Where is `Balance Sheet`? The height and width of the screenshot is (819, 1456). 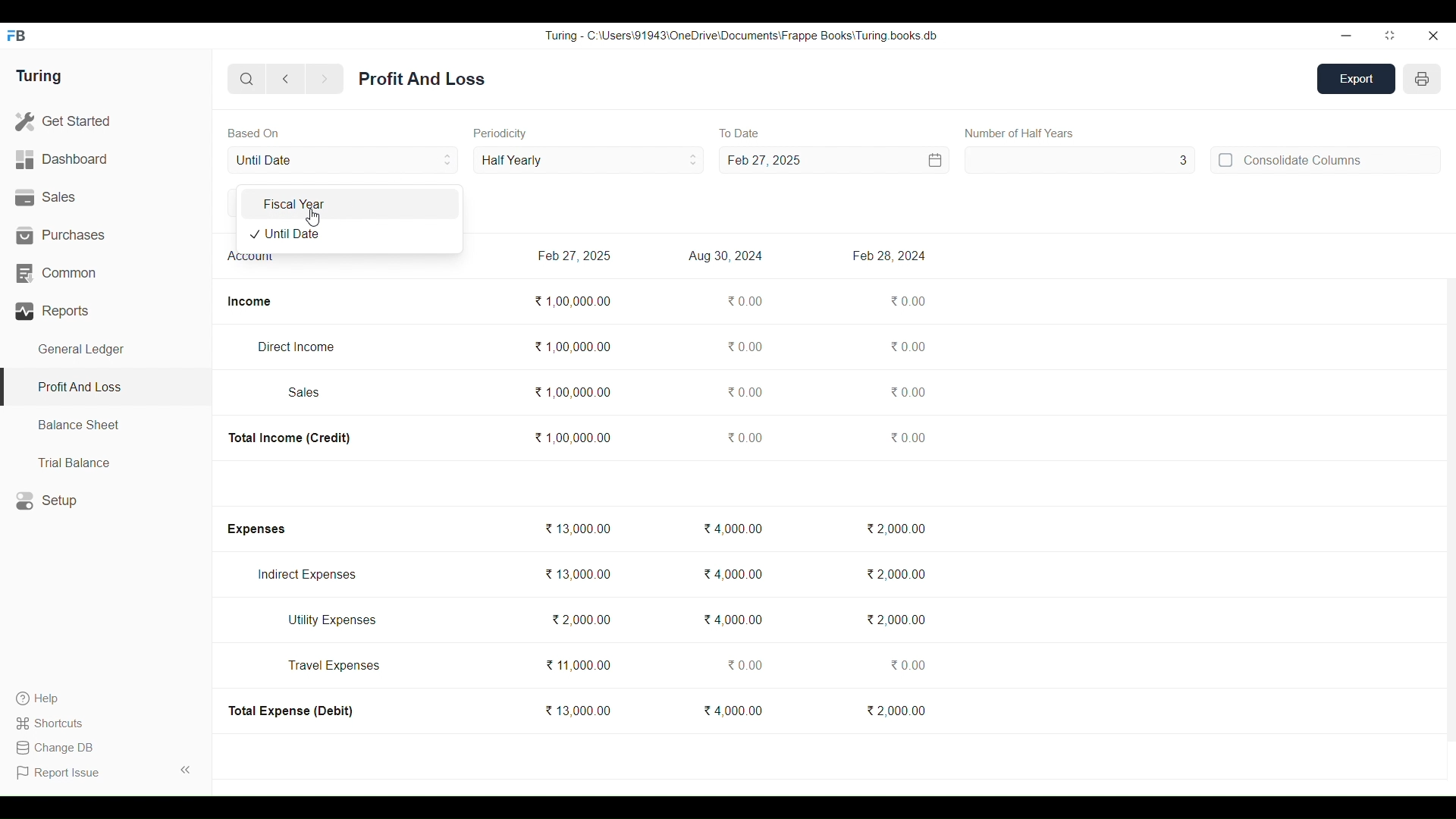
Balance Sheet is located at coordinates (106, 425).